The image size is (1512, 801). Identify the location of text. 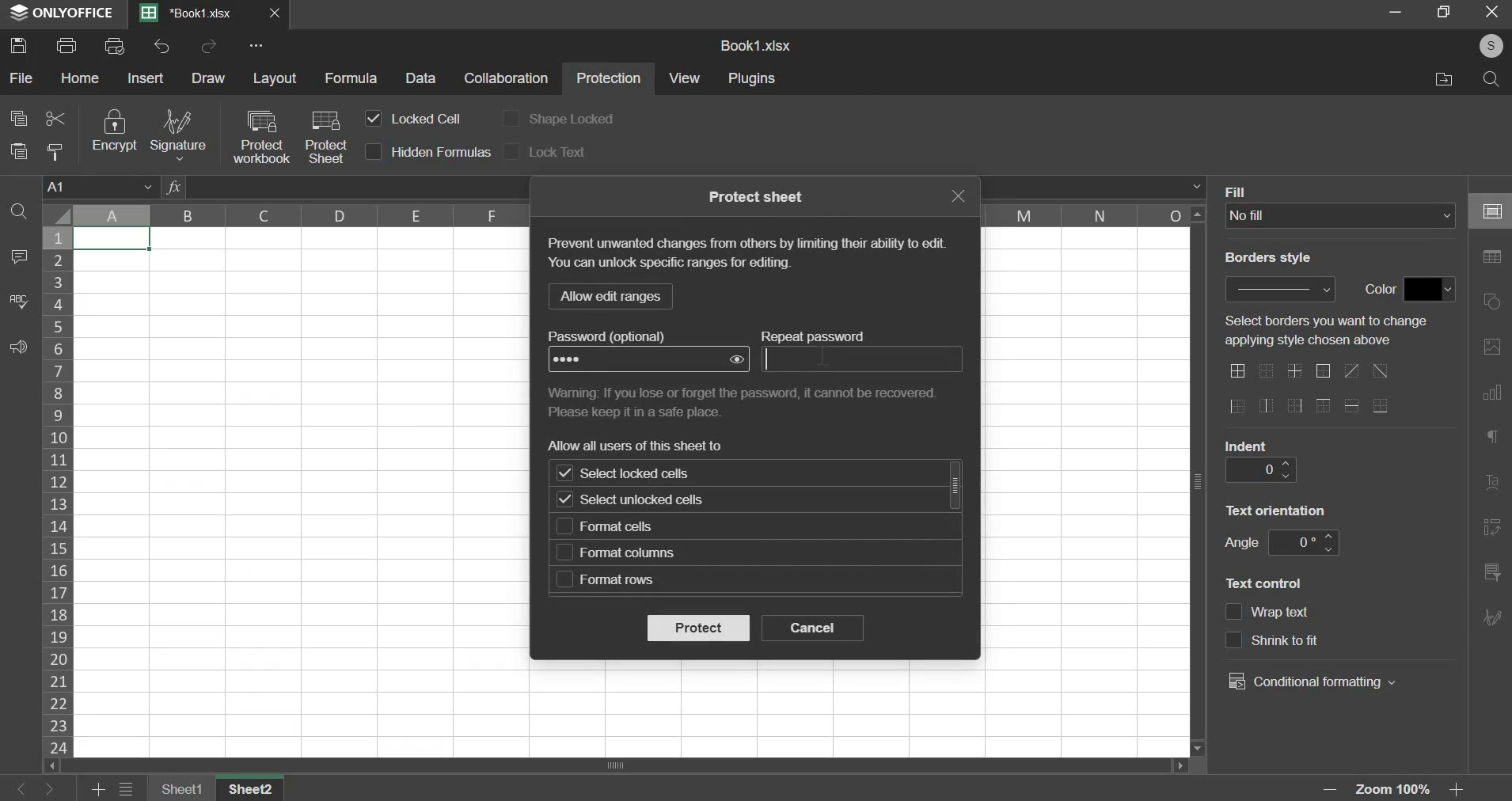
(749, 400).